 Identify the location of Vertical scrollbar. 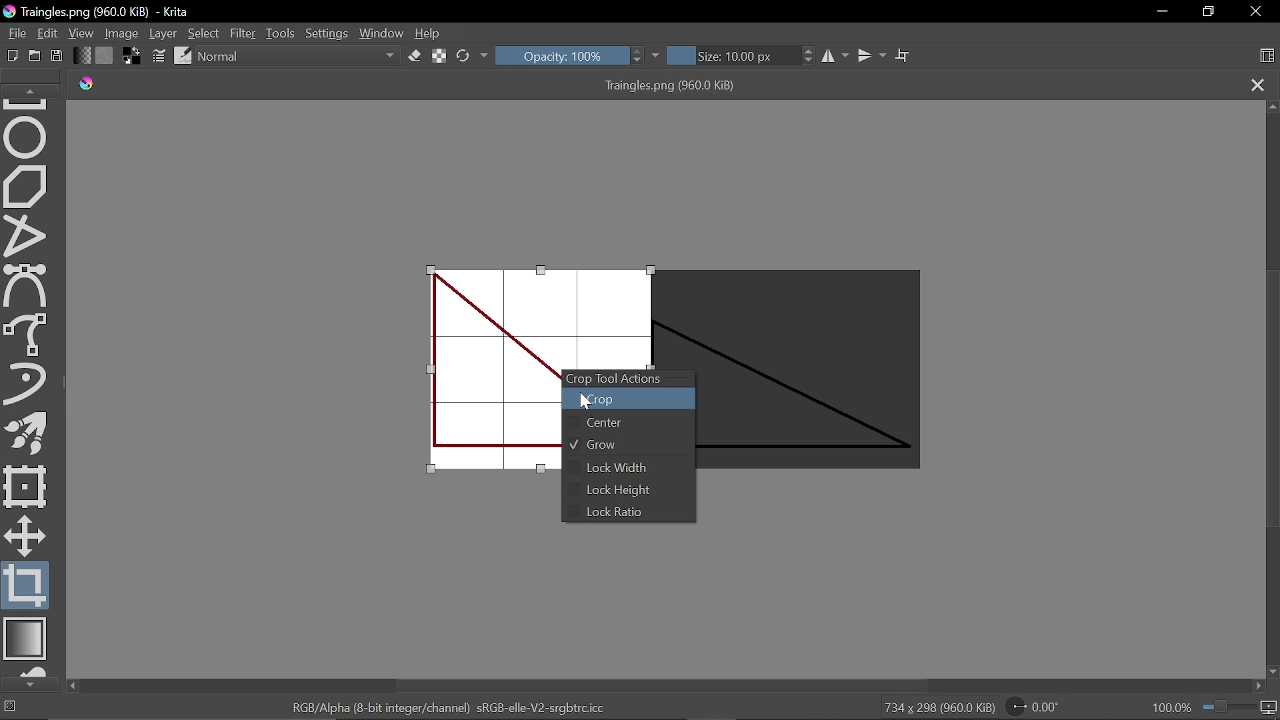
(665, 686).